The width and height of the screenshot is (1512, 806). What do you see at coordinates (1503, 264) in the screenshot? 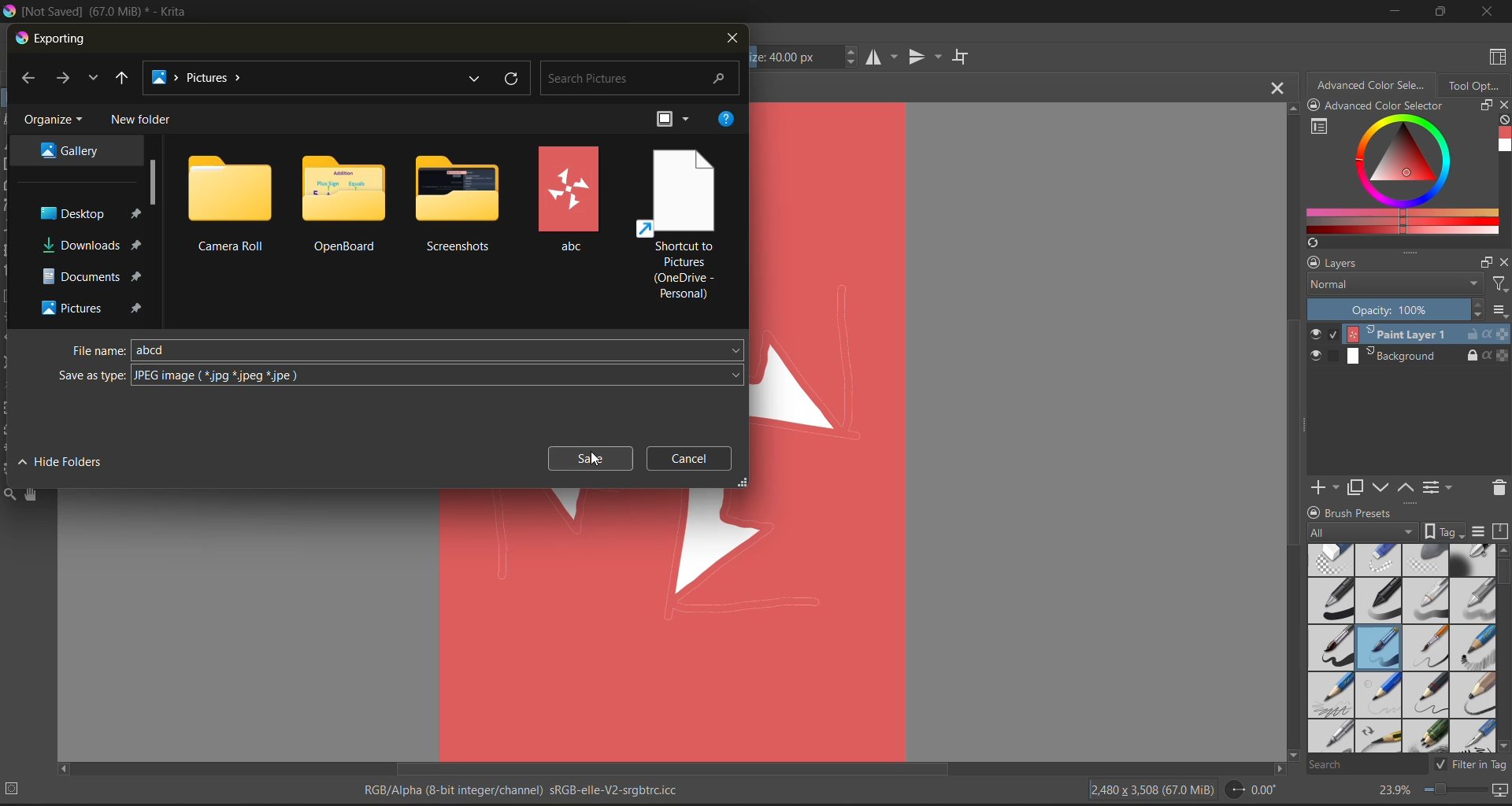
I see `close` at bounding box center [1503, 264].